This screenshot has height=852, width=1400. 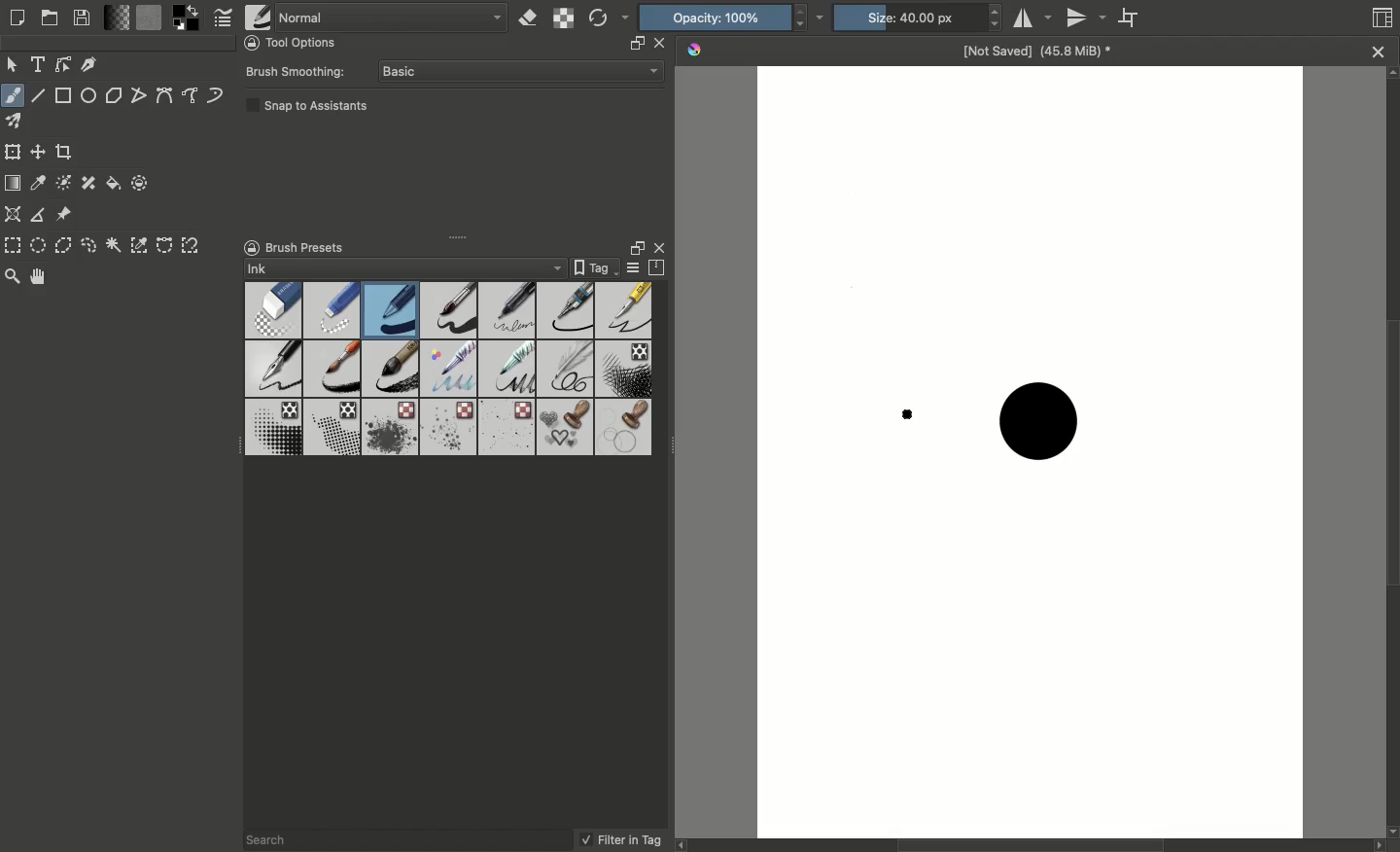 I want to click on Brush smoothing, so click(x=300, y=72).